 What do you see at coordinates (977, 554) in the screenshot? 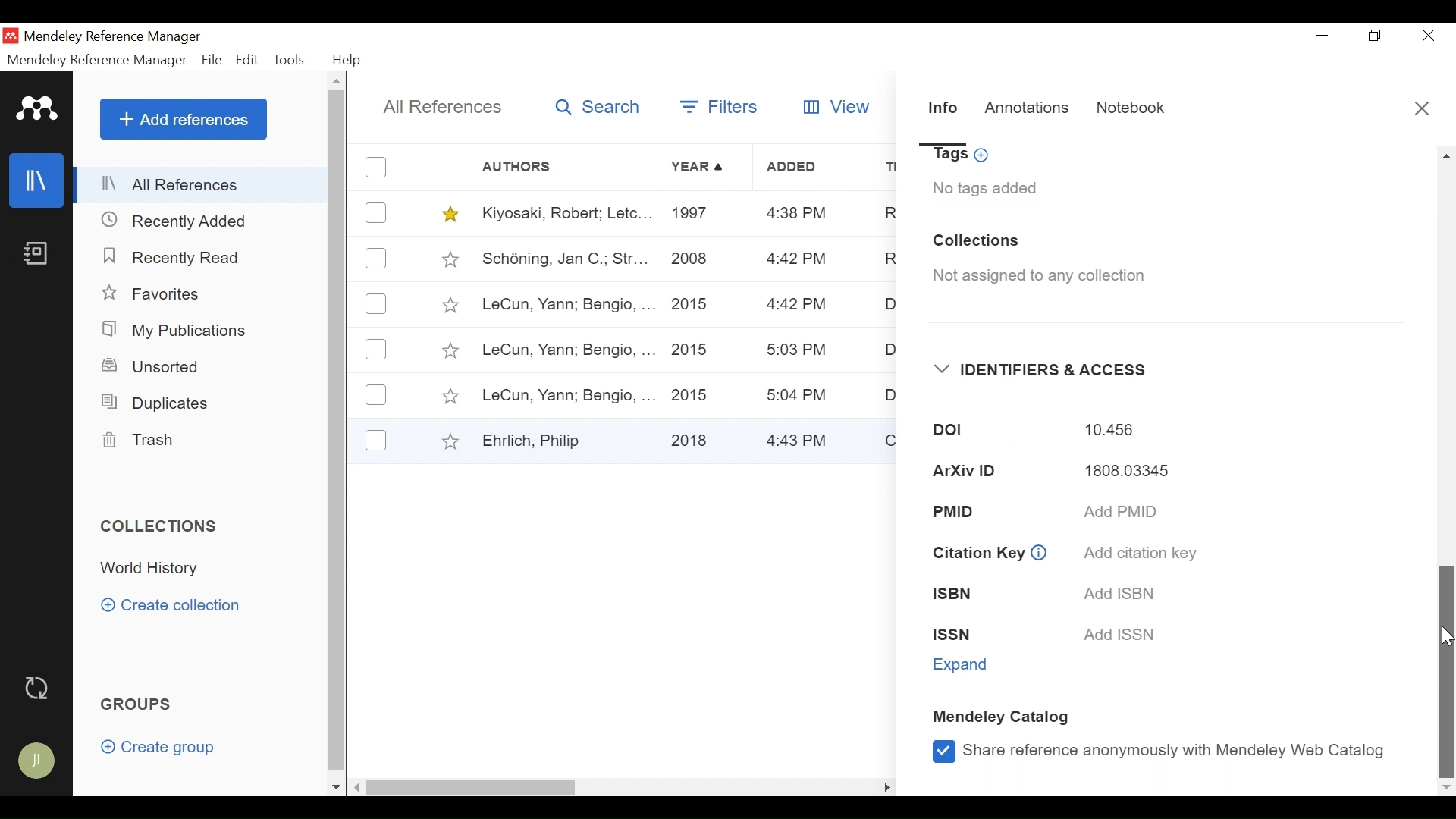
I see `Citation Key` at bounding box center [977, 554].